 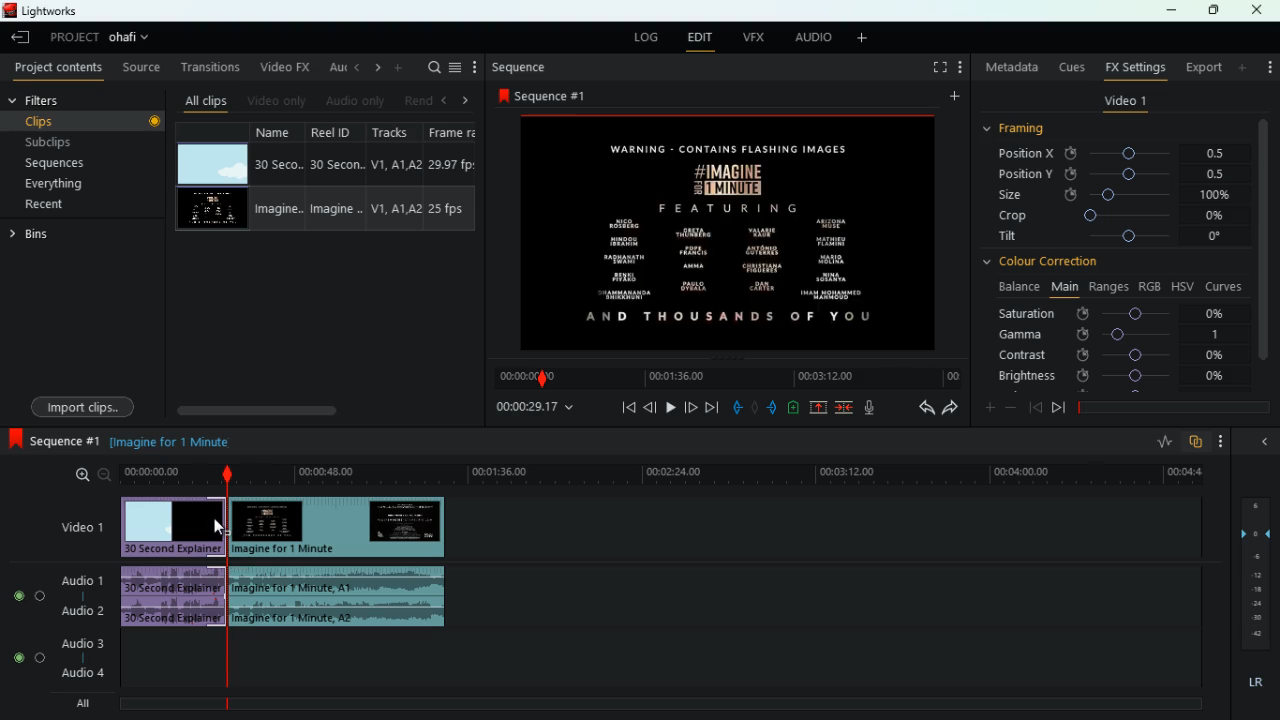 I want to click on minus, so click(x=1014, y=408).